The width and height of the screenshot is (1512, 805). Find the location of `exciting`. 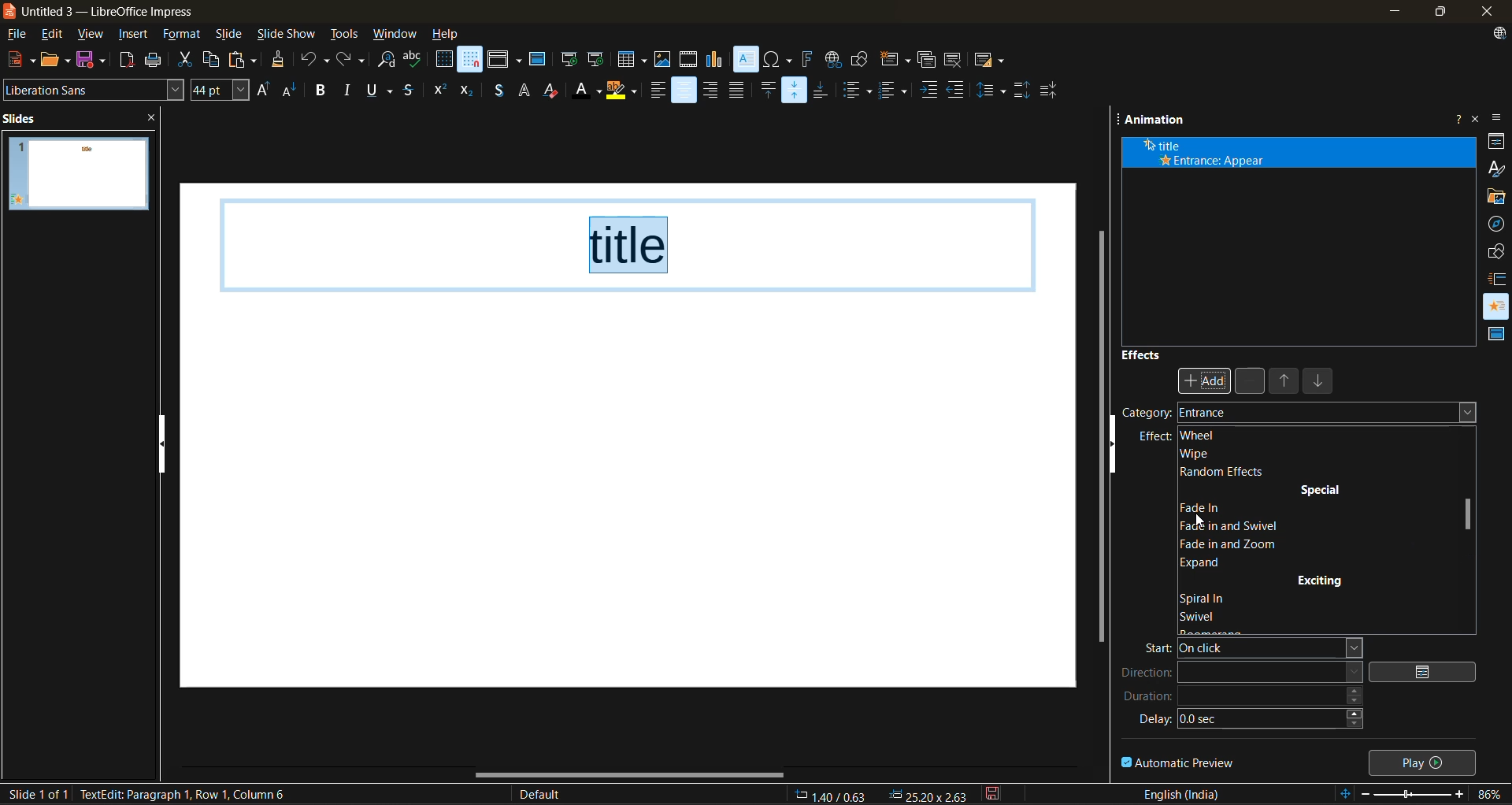

exciting is located at coordinates (1321, 579).